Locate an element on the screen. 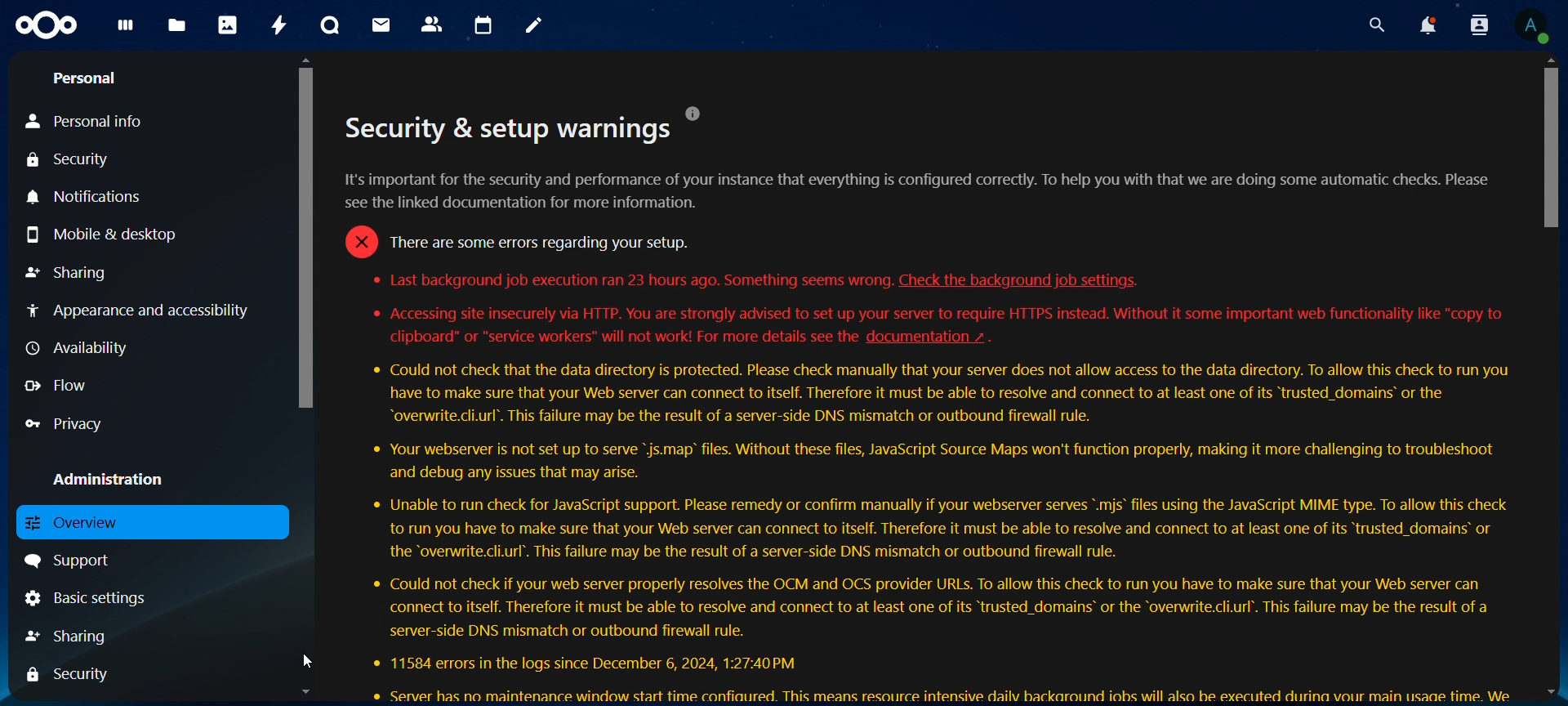  files is located at coordinates (176, 25).